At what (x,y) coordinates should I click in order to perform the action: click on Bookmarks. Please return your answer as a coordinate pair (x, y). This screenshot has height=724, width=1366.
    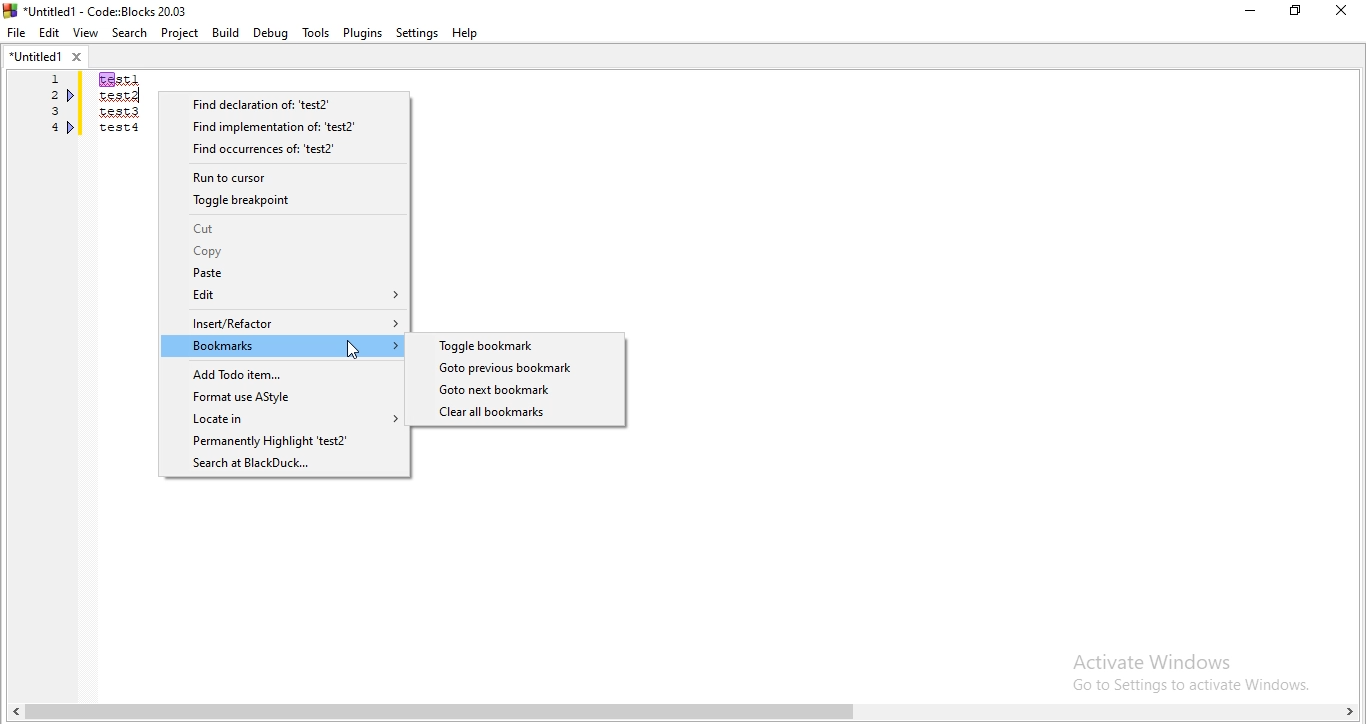
    Looking at the image, I should click on (281, 347).